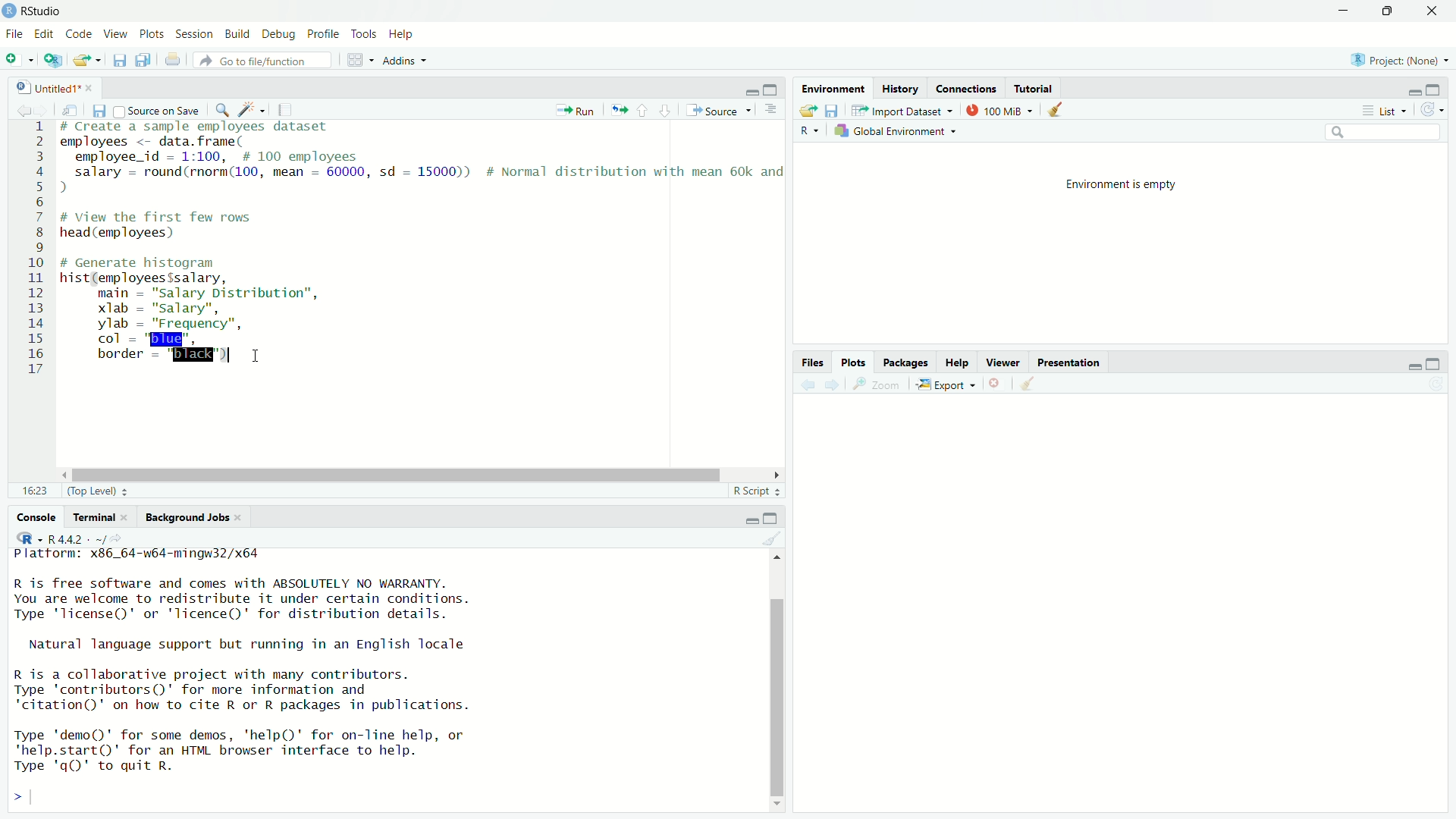 The height and width of the screenshot is (819, 1456). What do you see at coordinates (902, 88) in the screenshot?
I see `History` at bounding box center [902, 88].